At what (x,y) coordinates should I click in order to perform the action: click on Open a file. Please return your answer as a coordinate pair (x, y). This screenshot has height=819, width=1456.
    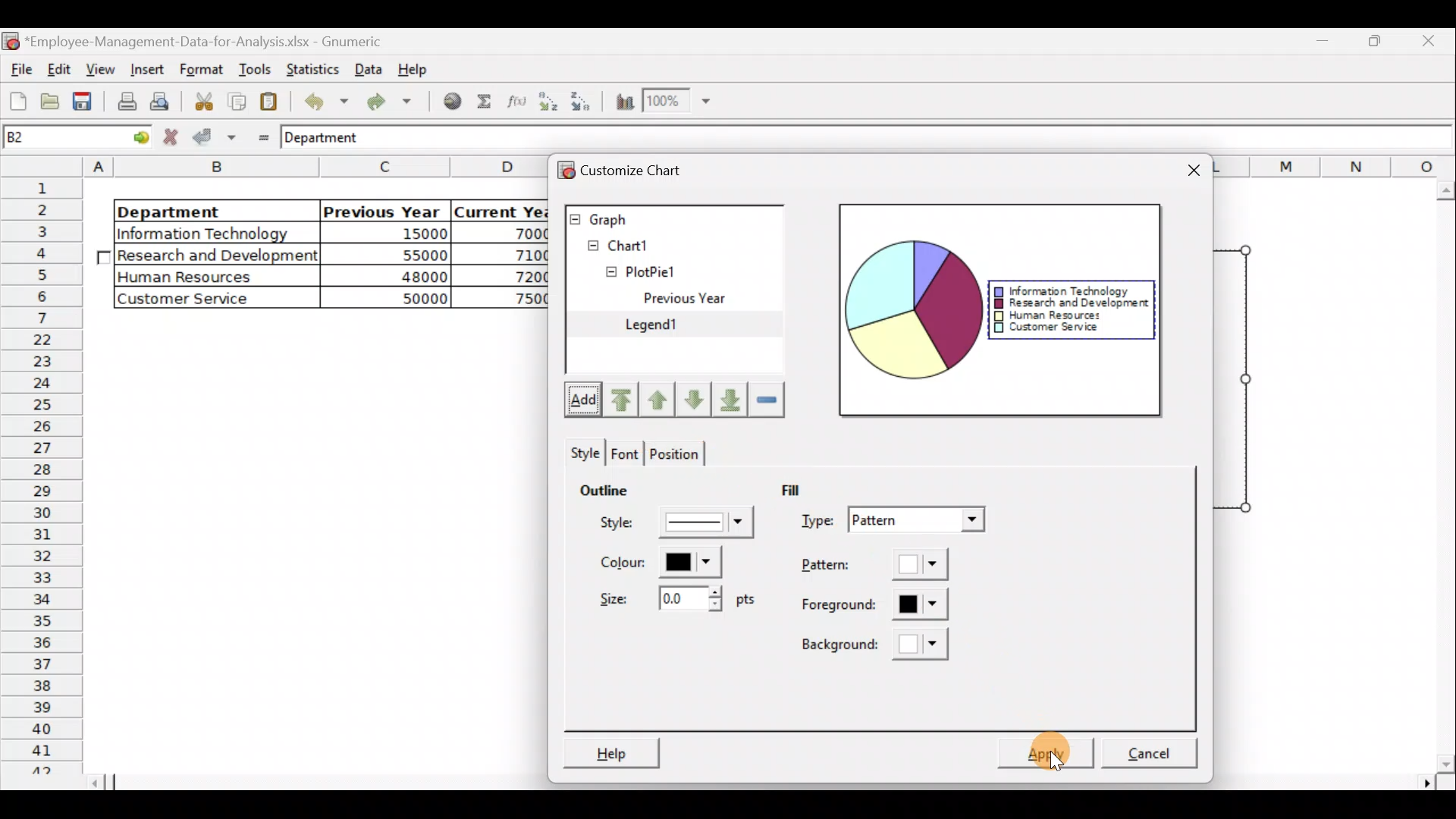
    Looking at the image, I should click on (49, 104).